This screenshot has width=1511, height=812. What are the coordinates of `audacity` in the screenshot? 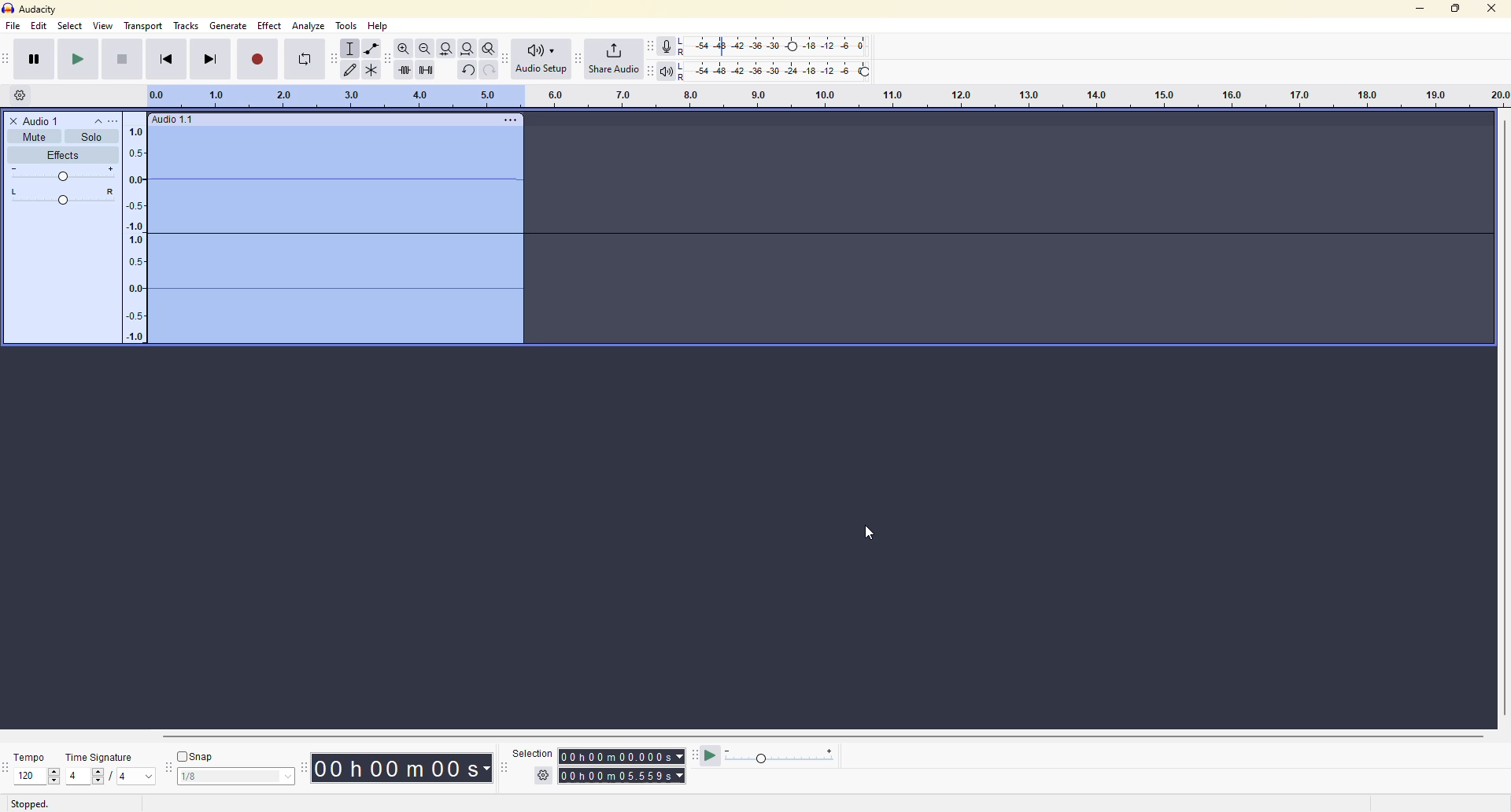 It's located at (29, 9).